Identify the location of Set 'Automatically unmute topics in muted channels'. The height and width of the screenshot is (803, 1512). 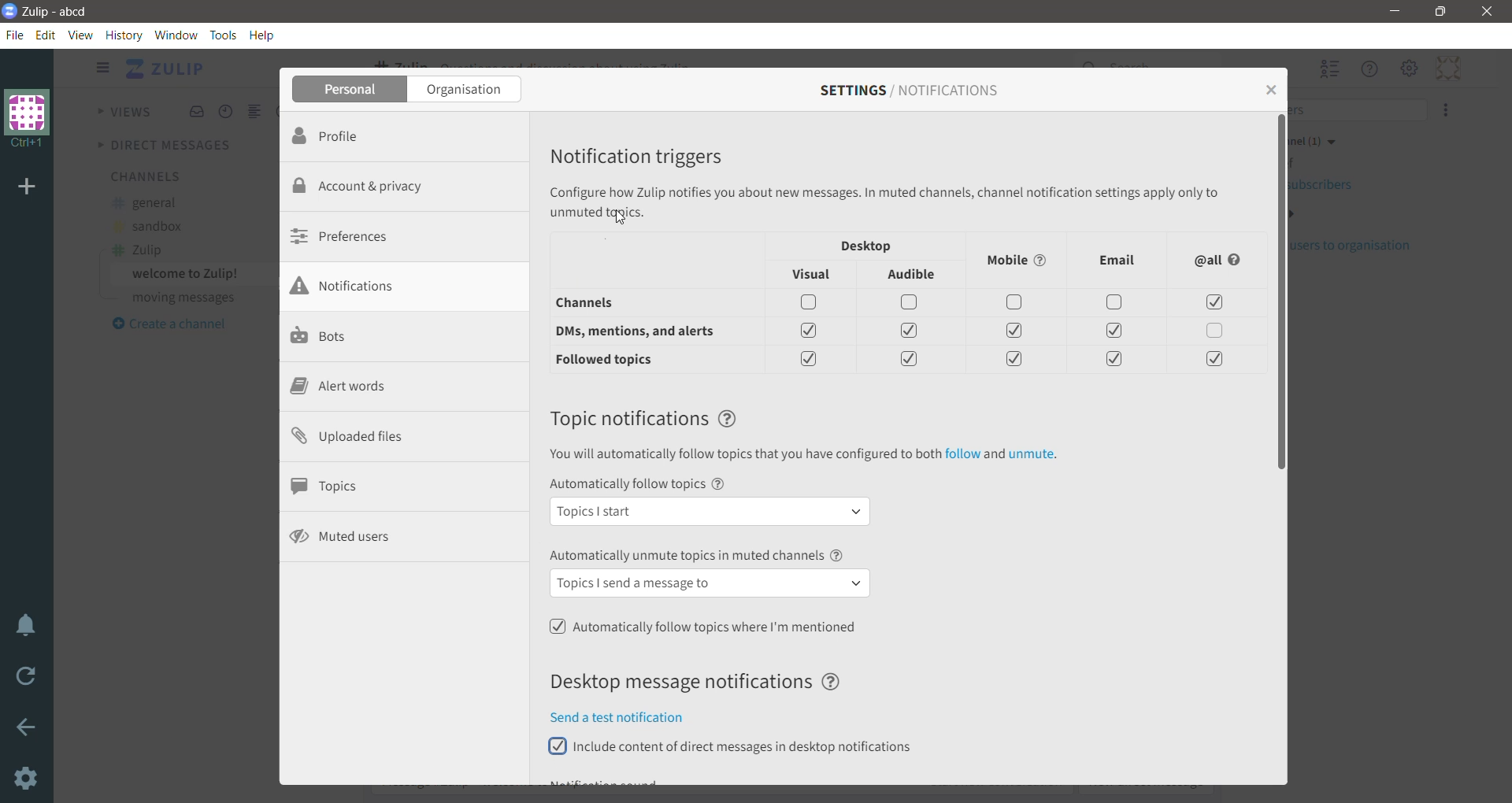
(711, 574).